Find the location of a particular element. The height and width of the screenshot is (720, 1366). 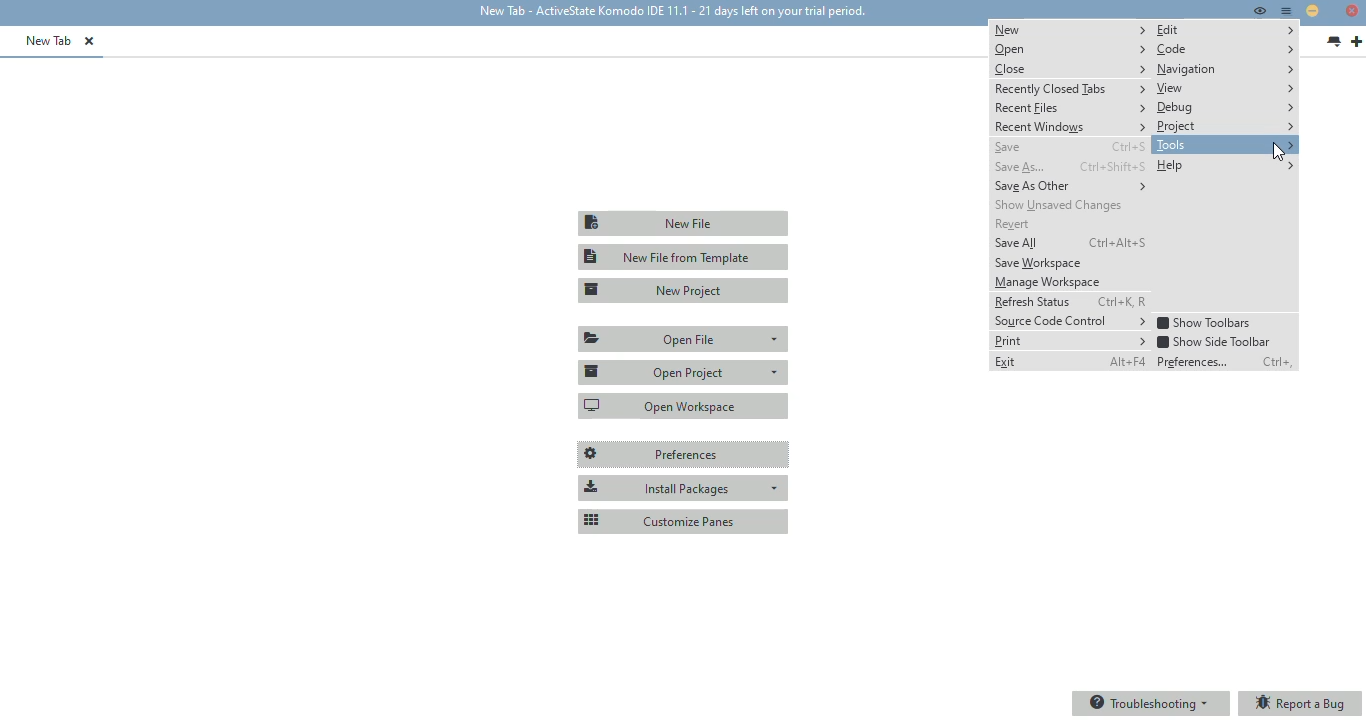

recent windows is located at coordinates (1070, 127).